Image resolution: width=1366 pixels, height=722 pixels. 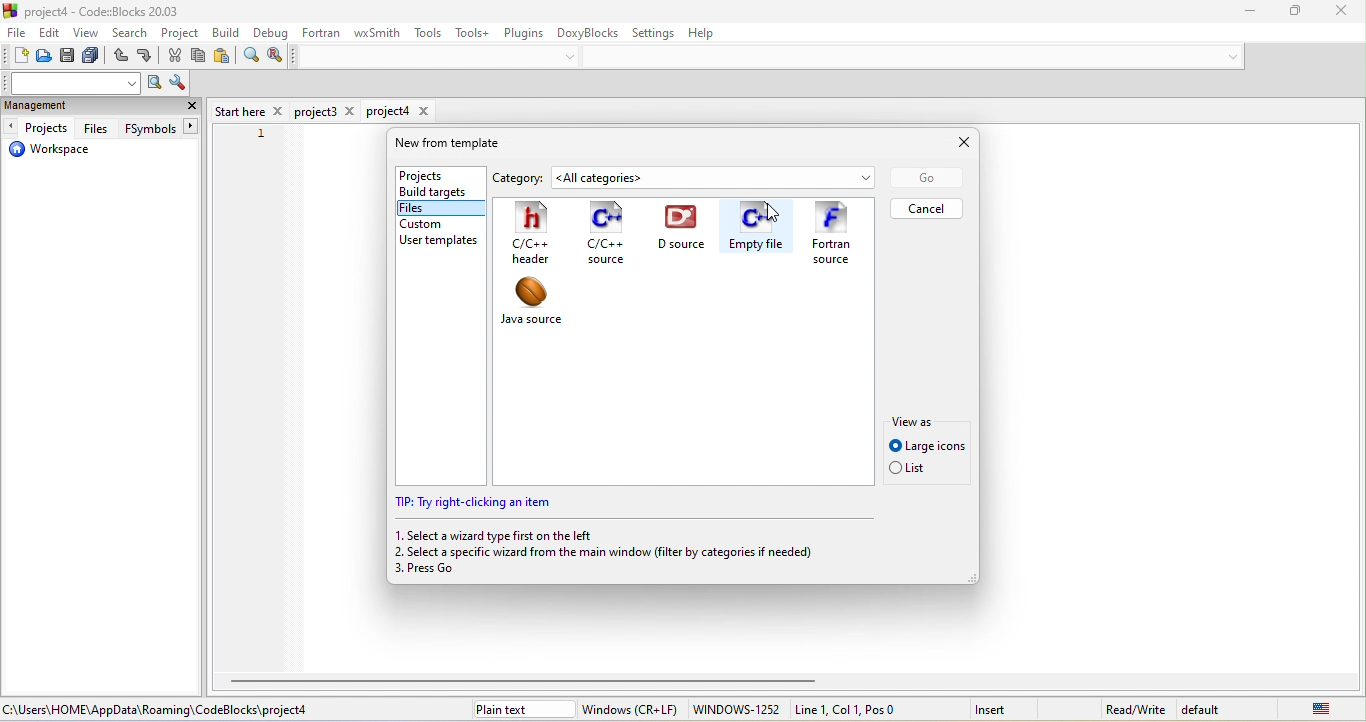 What do you see at coordinates (51, 34) in the screenshot?
I see `edit` at bounding box center [51, 34].